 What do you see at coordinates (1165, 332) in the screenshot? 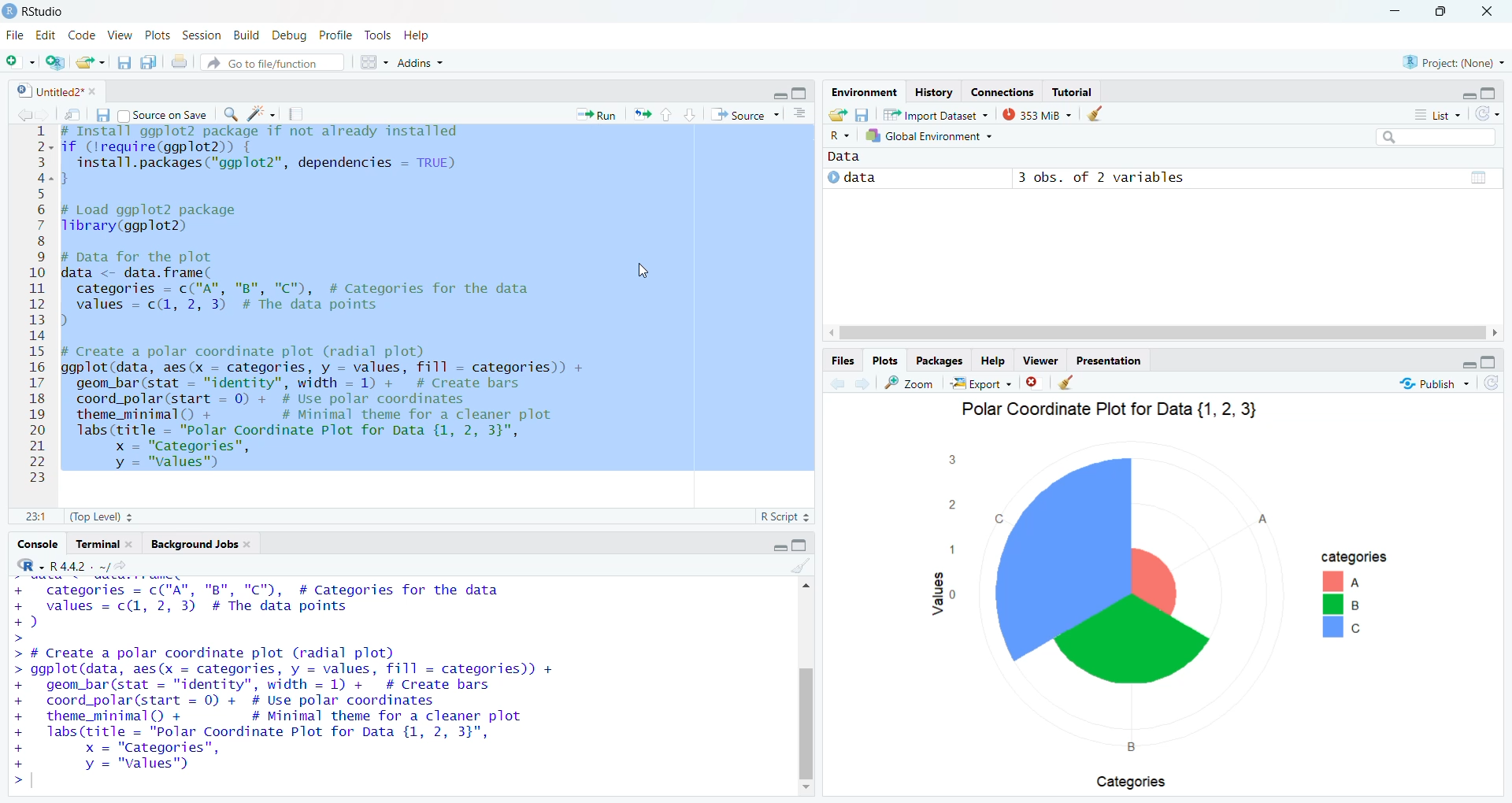
I see `horizontal scroll bar` at bounding box center [1165, 332].